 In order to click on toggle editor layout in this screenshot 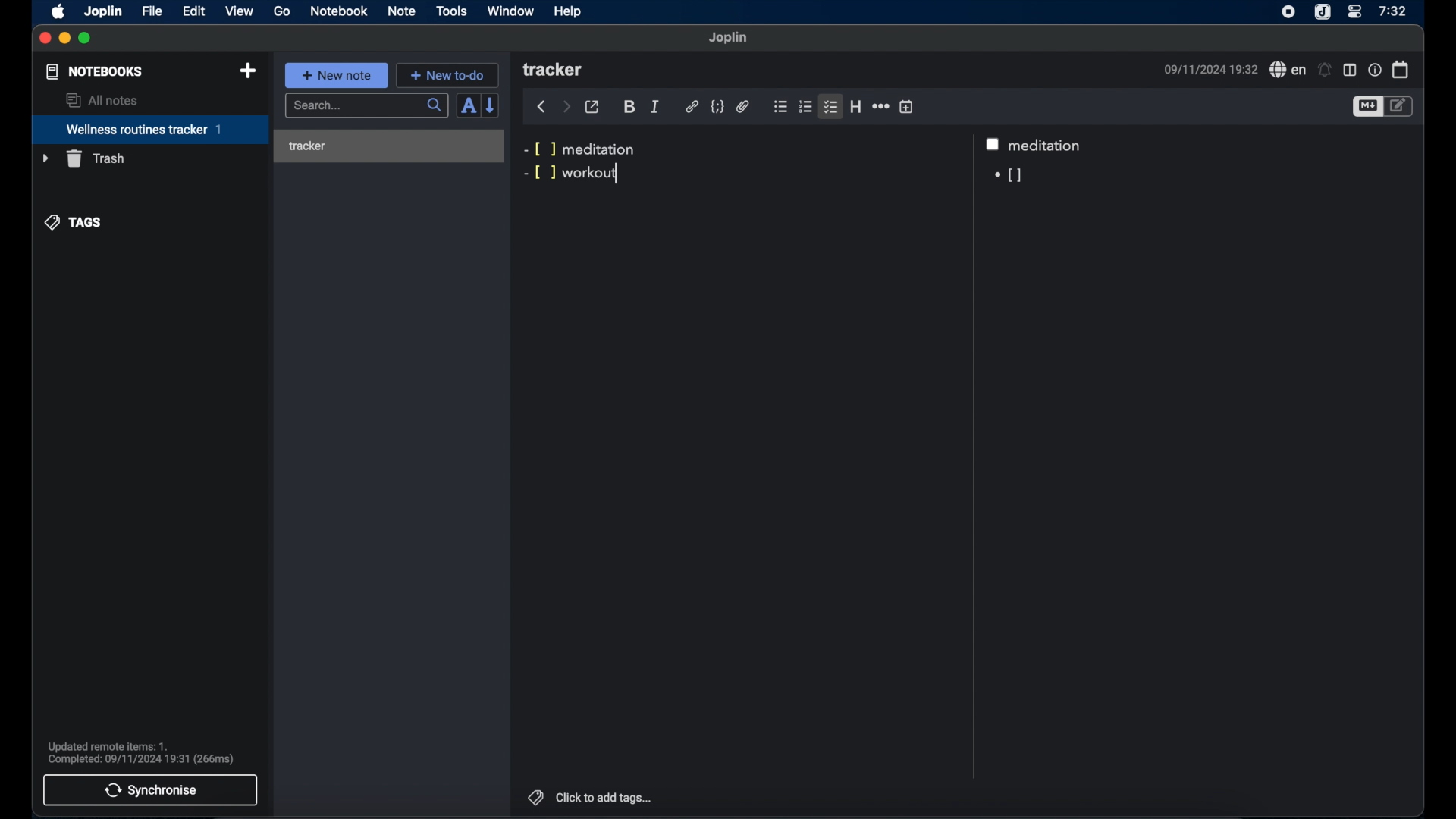, I will do `click(1349, 70)`.